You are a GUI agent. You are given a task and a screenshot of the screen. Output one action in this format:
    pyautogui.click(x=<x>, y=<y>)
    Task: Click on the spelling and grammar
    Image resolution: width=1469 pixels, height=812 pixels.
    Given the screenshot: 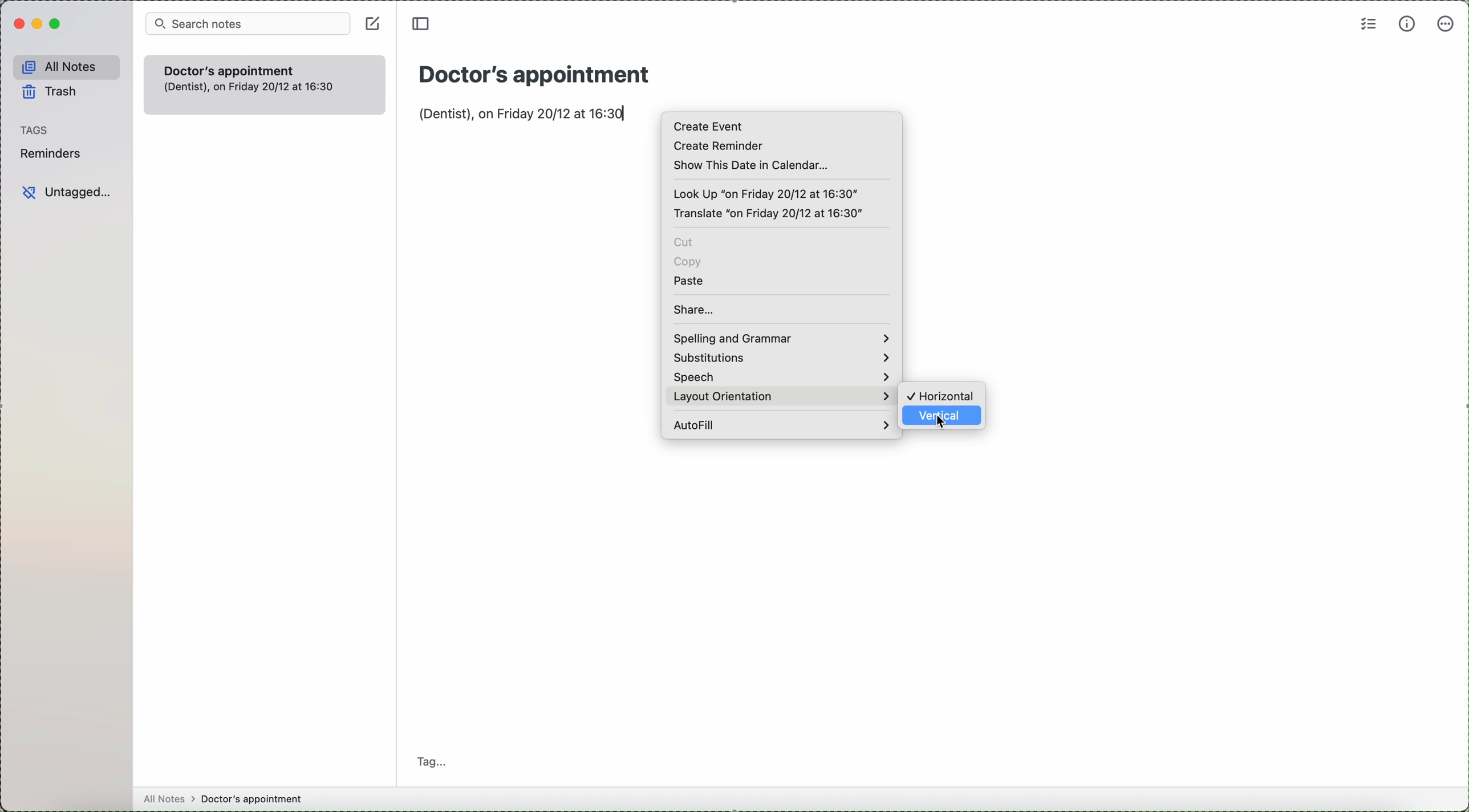 What is the action you would take?
    pyautogui.click(x=780, y=339)
    